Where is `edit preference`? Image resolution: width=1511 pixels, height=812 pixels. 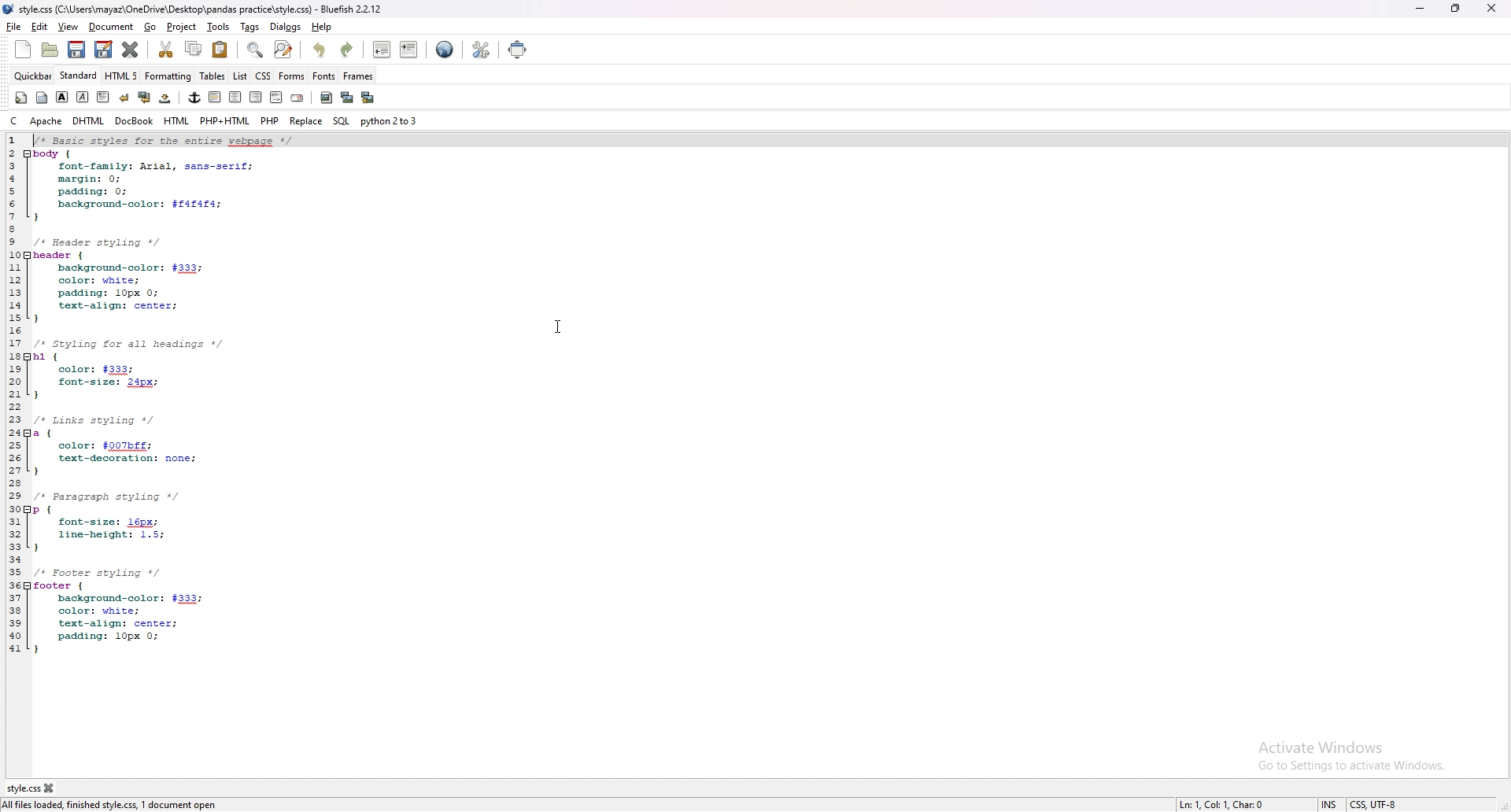
edit preference is located at coordinates (482, 49).